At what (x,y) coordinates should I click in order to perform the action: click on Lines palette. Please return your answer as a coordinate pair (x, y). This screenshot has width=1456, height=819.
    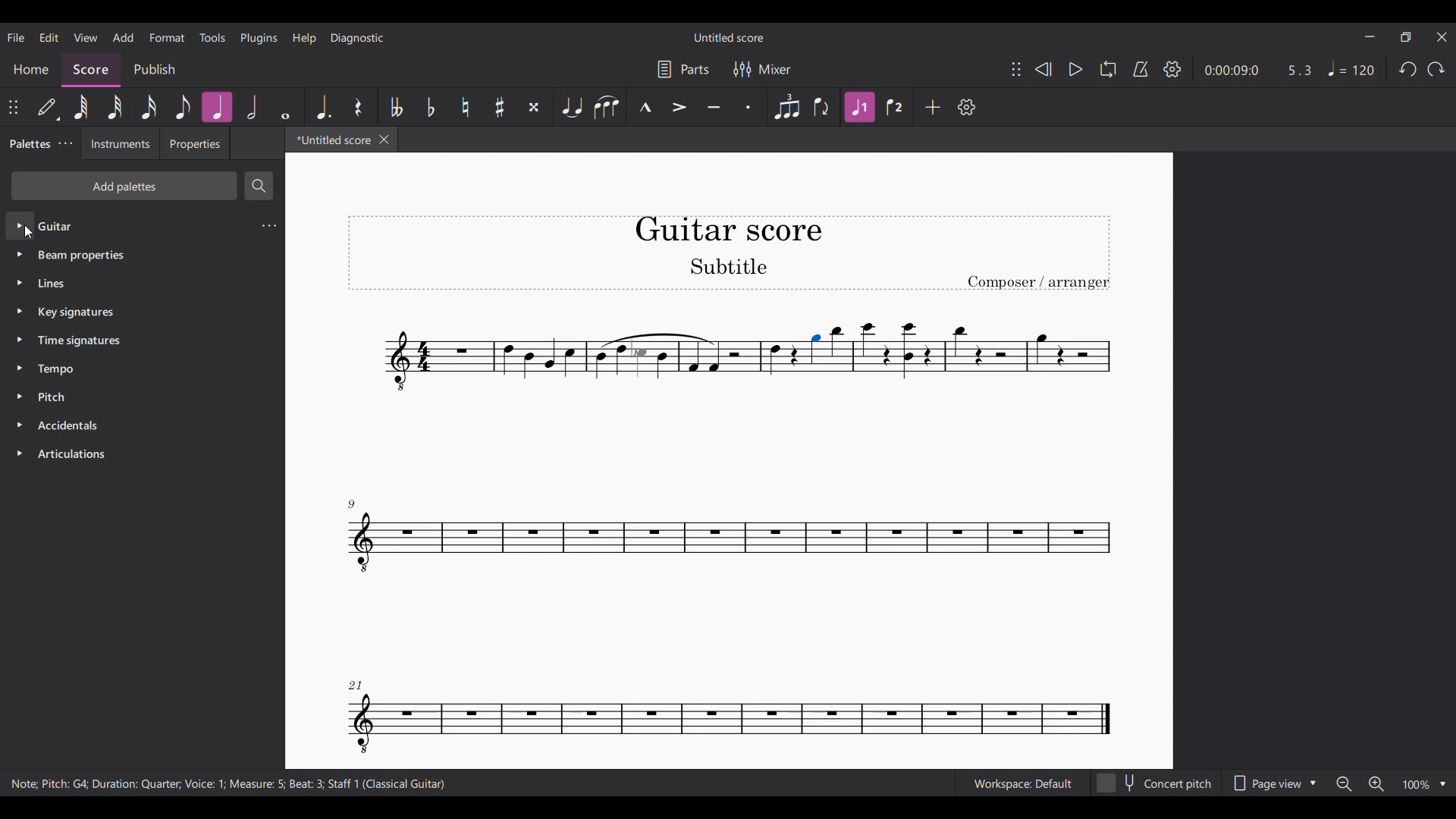
    Looking at the image, I should click on (54, 282).